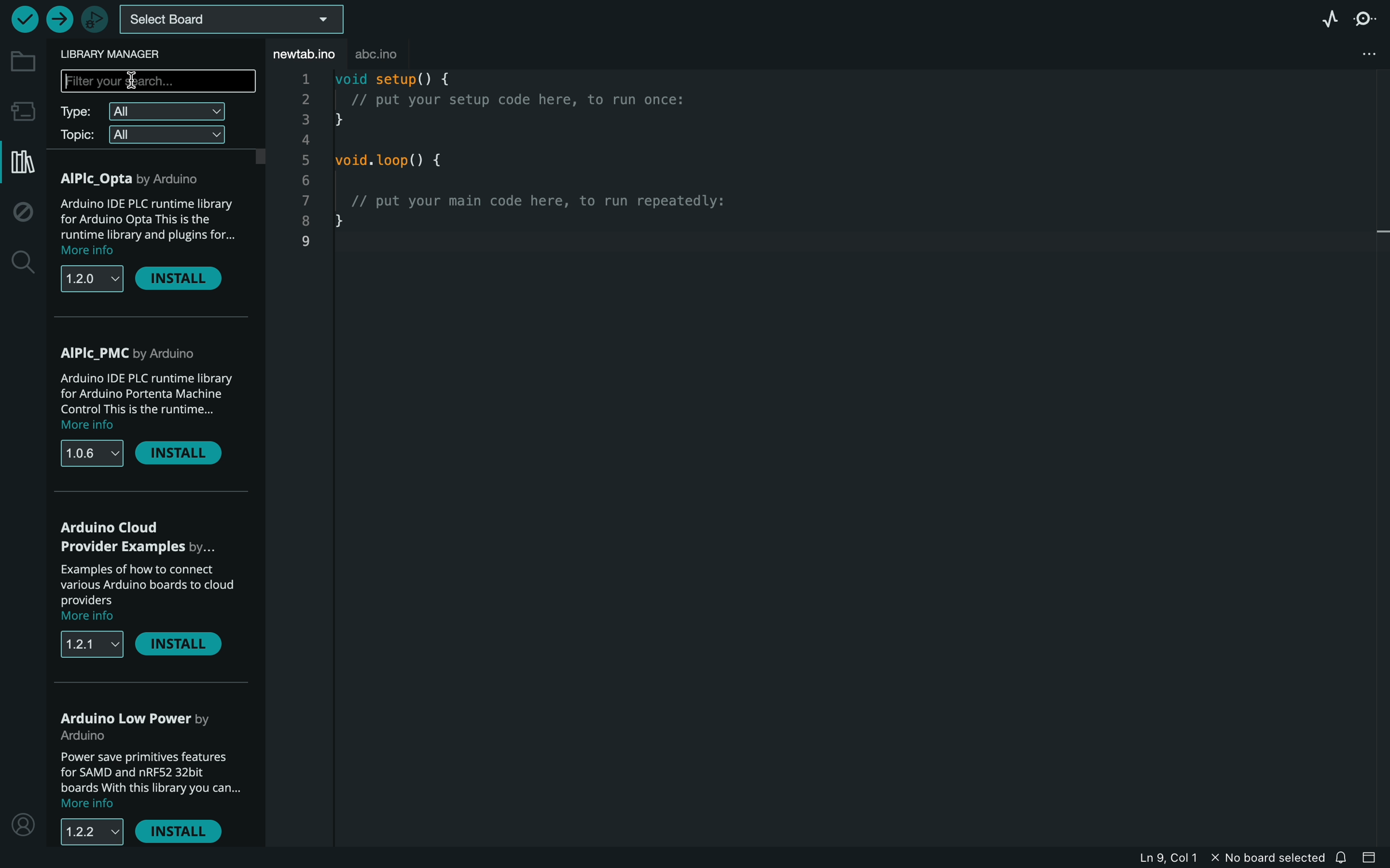  I want to click on verify, so click(20, 19).